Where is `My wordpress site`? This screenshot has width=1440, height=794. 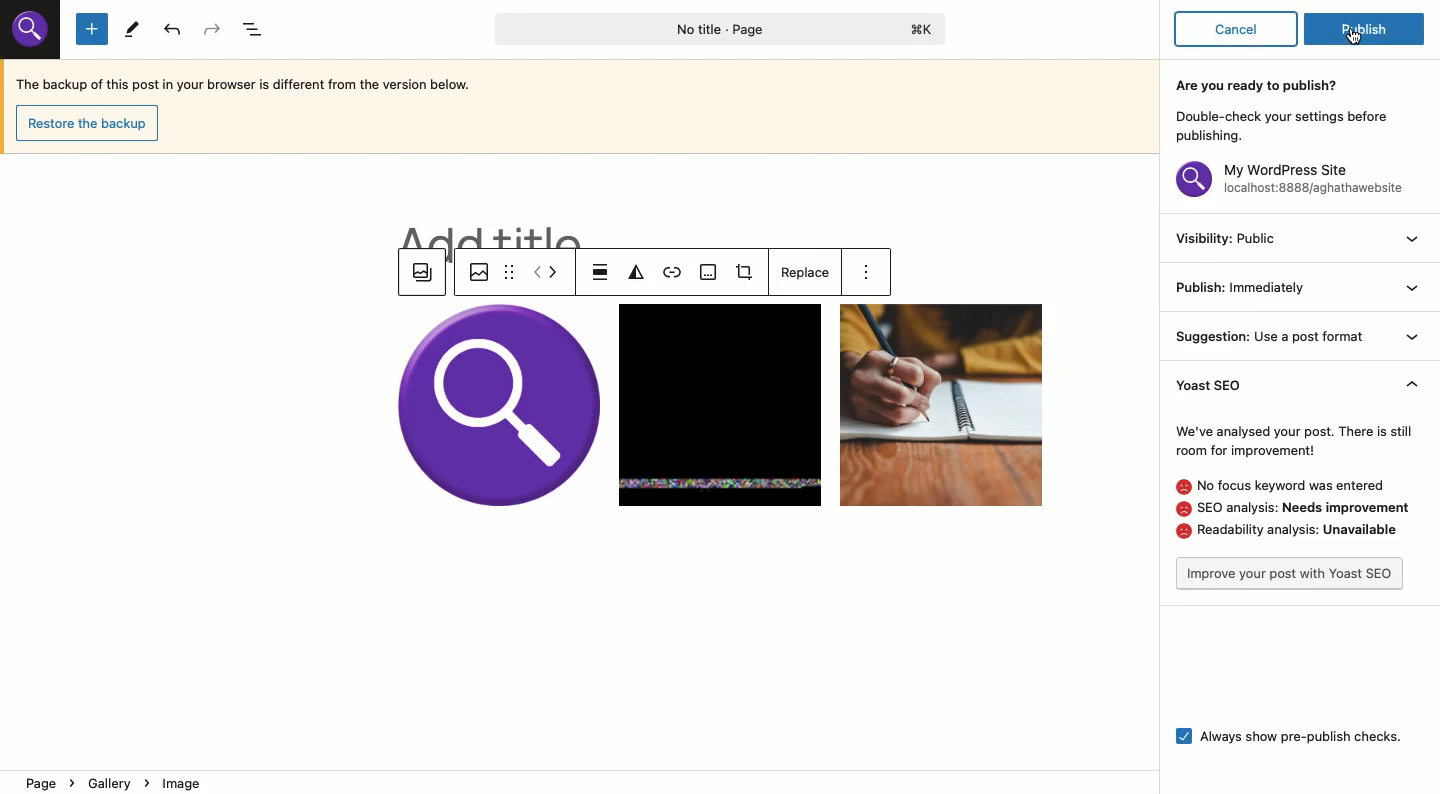 My wordpress site is located at coordinates (1283, 179).